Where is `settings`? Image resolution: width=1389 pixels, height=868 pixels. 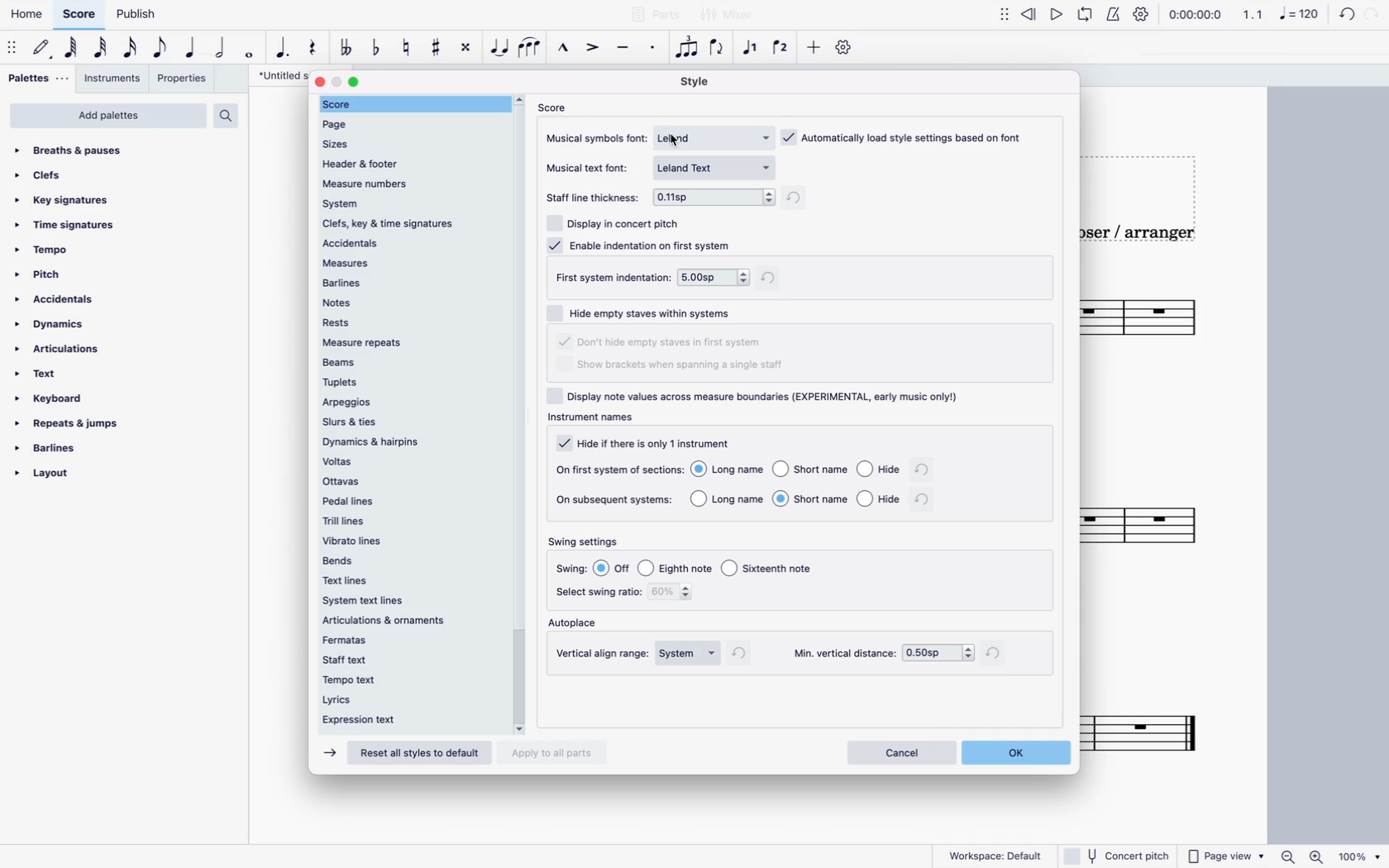 settings is located at coordinates (845, 50).